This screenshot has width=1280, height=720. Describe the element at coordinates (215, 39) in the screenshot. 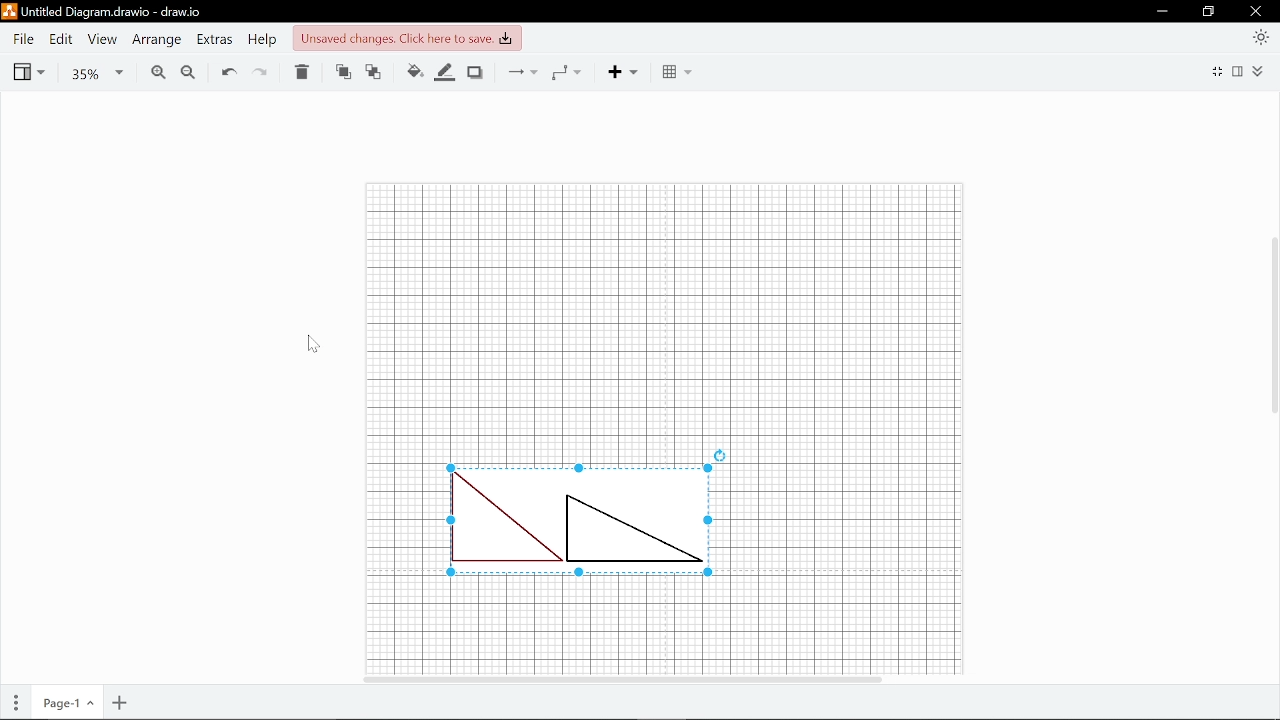

I see `extras` at that location.